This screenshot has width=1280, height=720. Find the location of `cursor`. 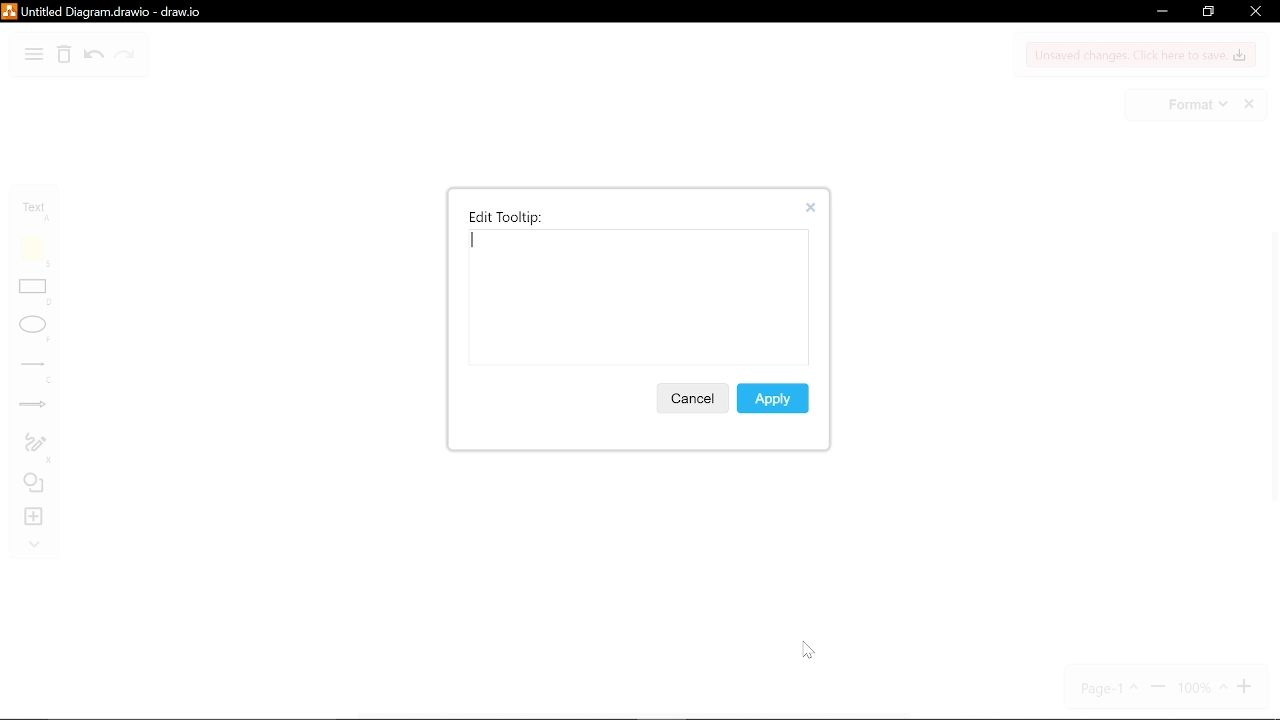

cursor is located at coordinates (809, 649).